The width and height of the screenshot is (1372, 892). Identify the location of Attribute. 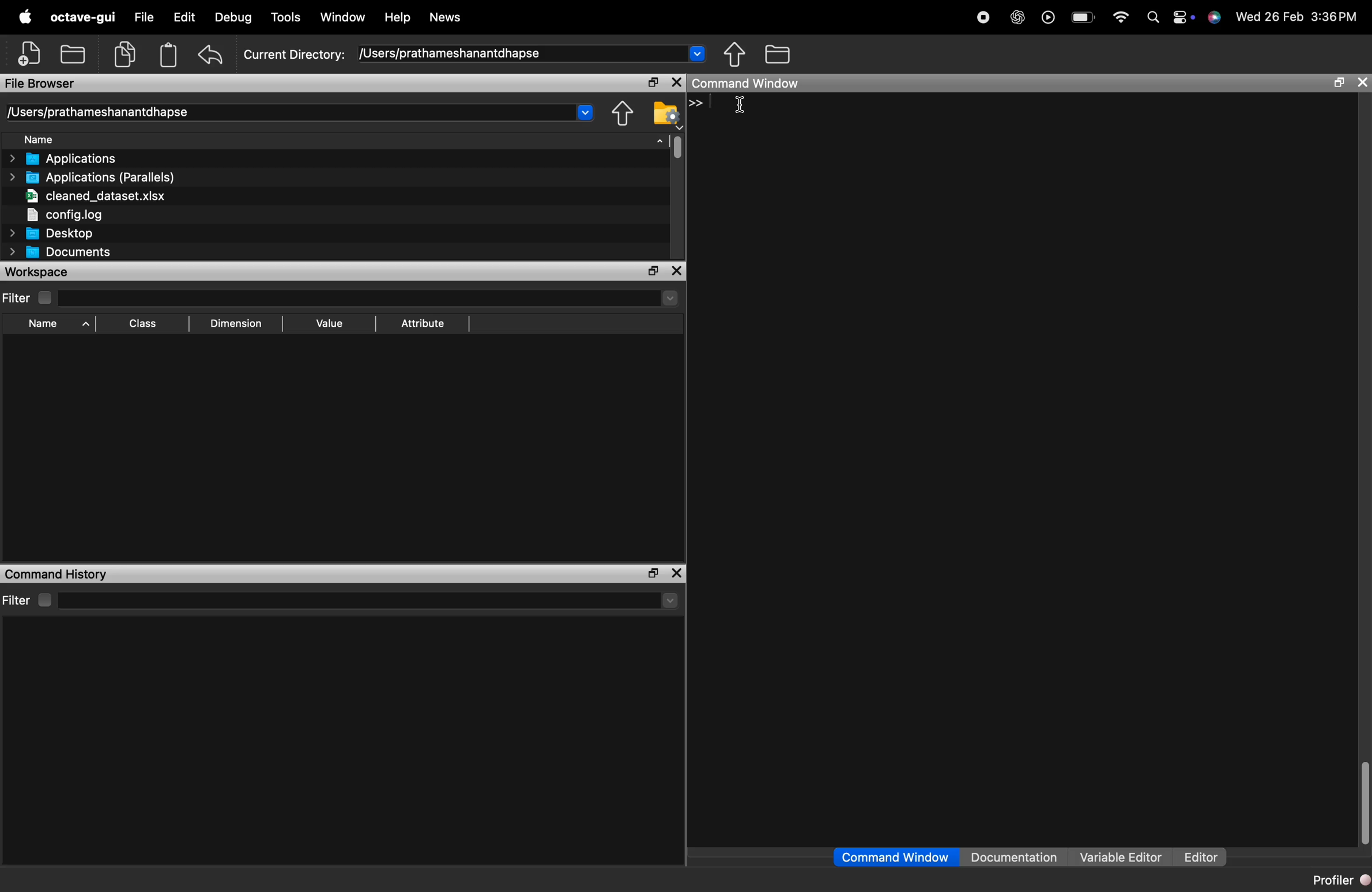
(422, 326).